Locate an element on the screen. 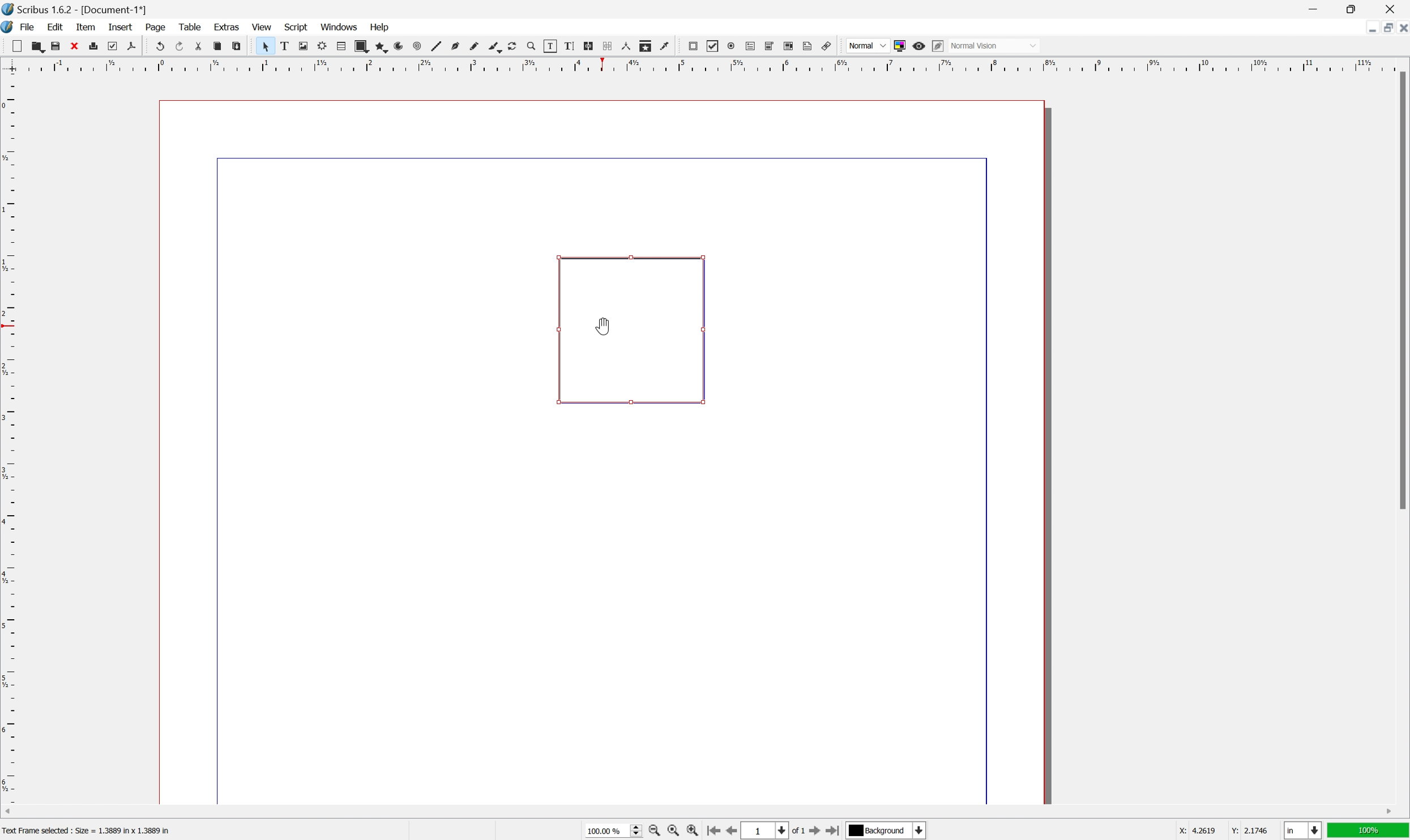  zoom in is located at coordinates (692, 830).